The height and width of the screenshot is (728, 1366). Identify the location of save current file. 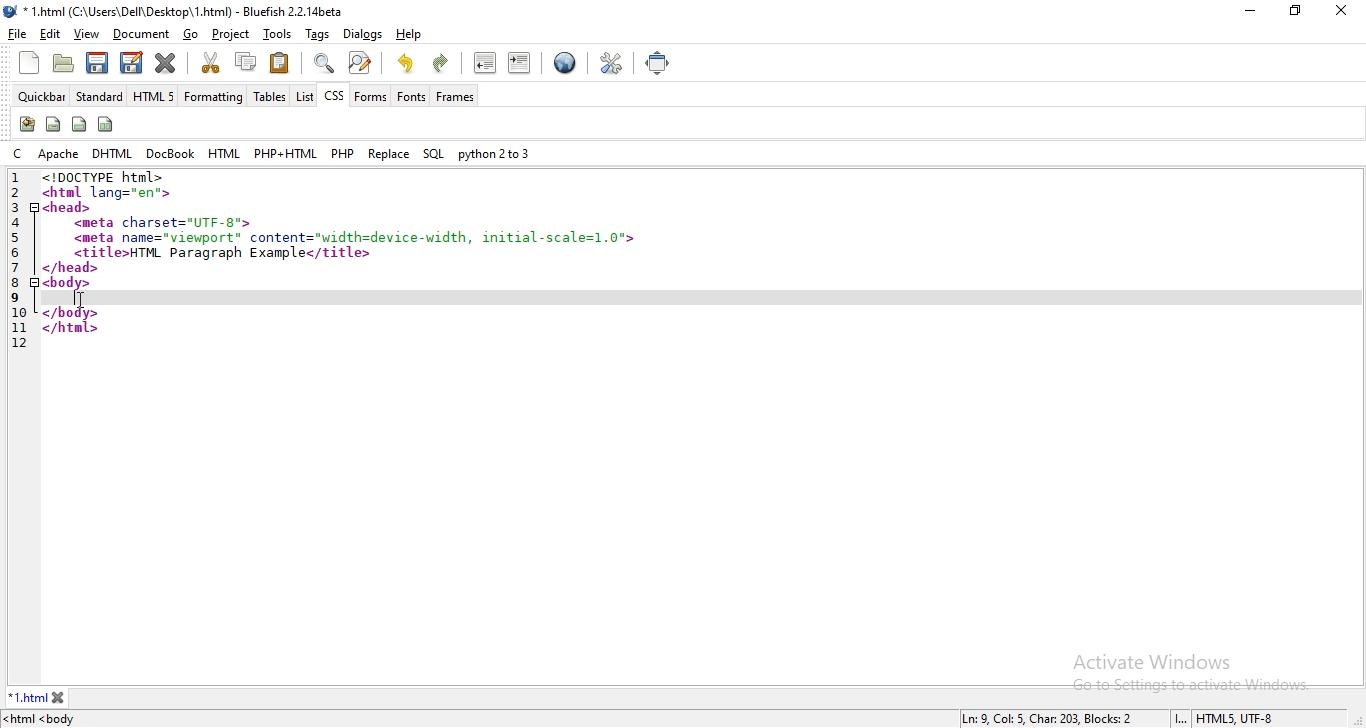
(97, 61).